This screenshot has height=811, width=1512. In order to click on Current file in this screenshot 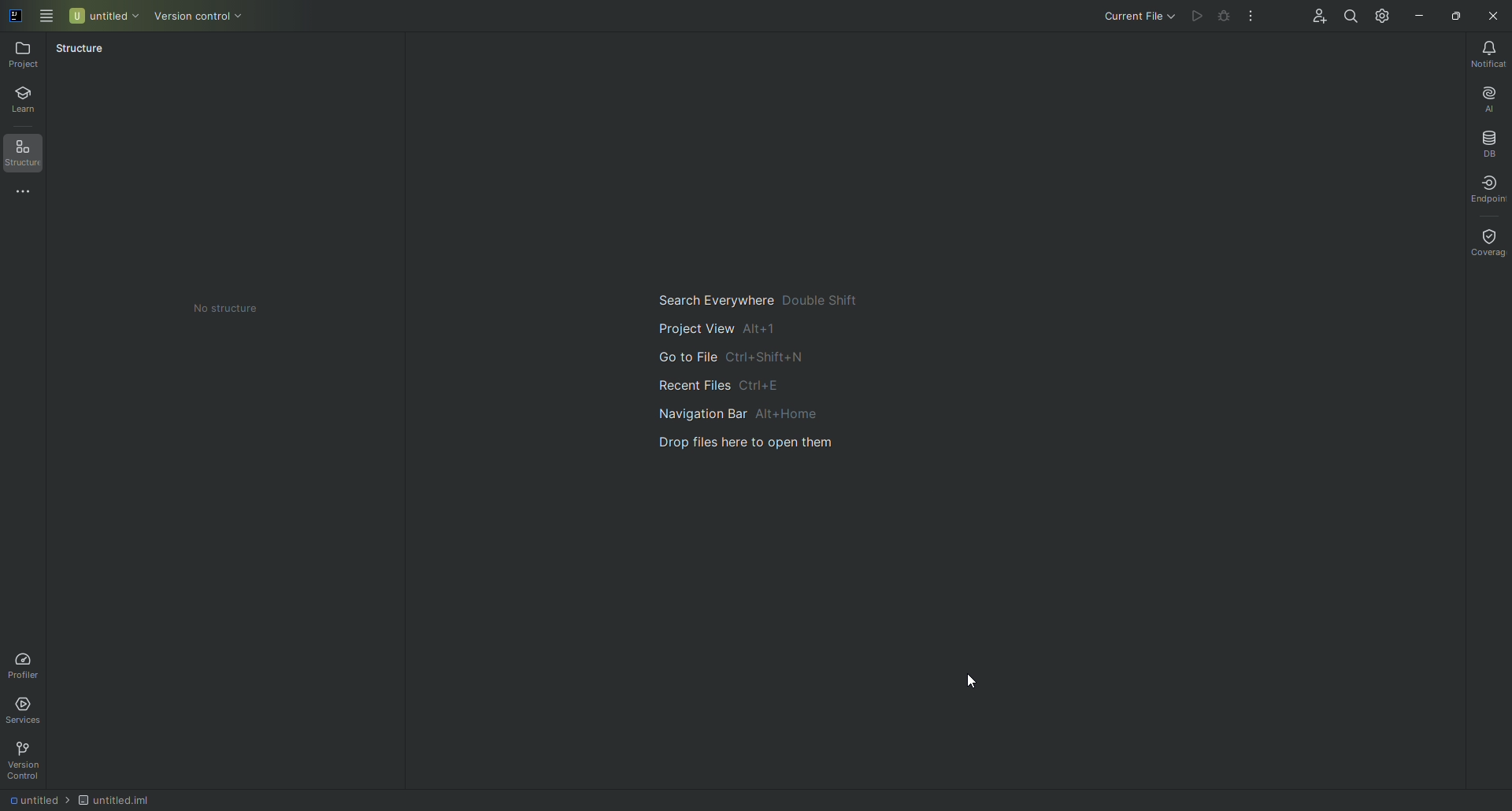, I will do `click(1135, 15)`.